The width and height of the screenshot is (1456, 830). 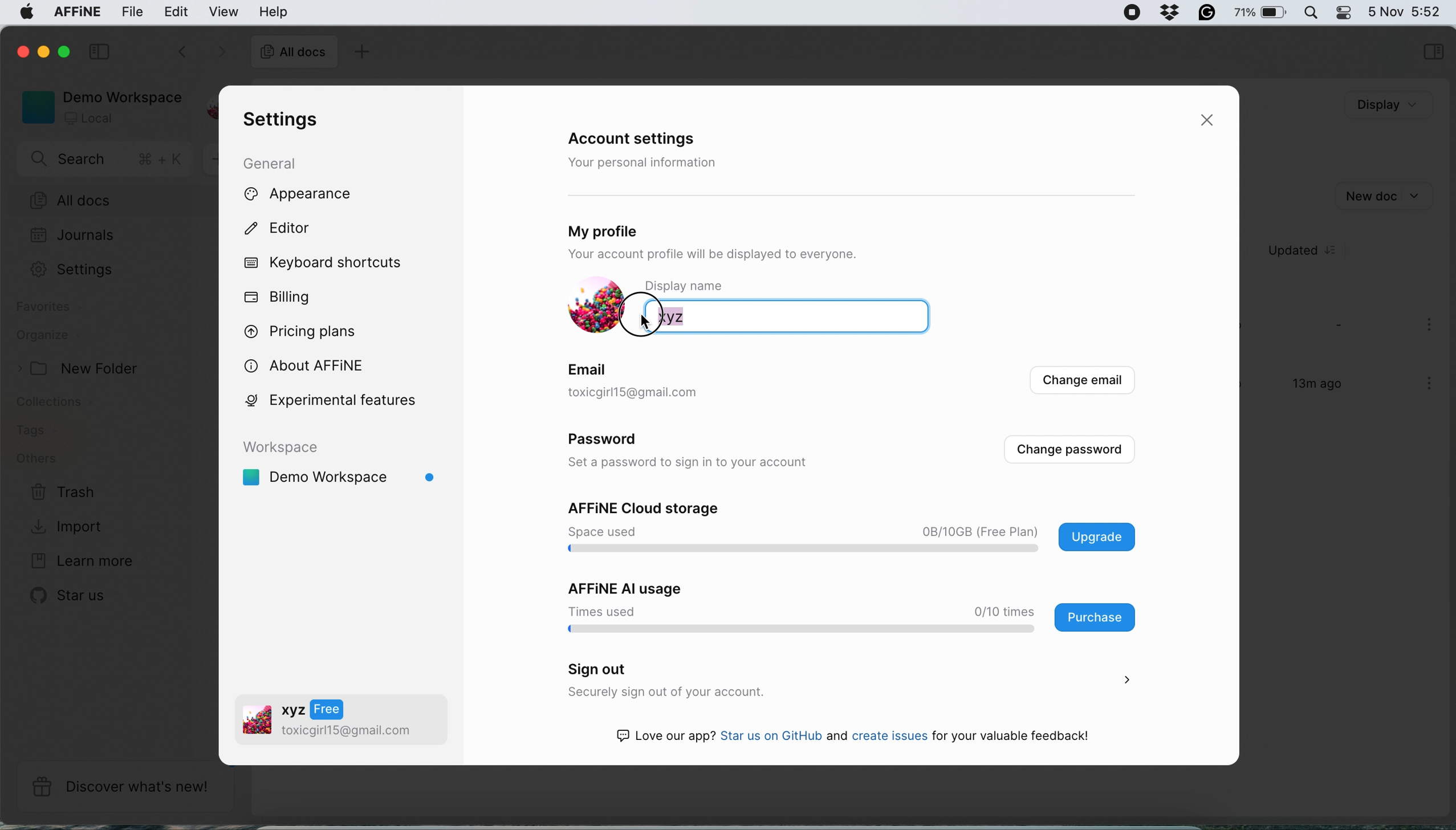 I want to click on import, so click(x=70, y=525).